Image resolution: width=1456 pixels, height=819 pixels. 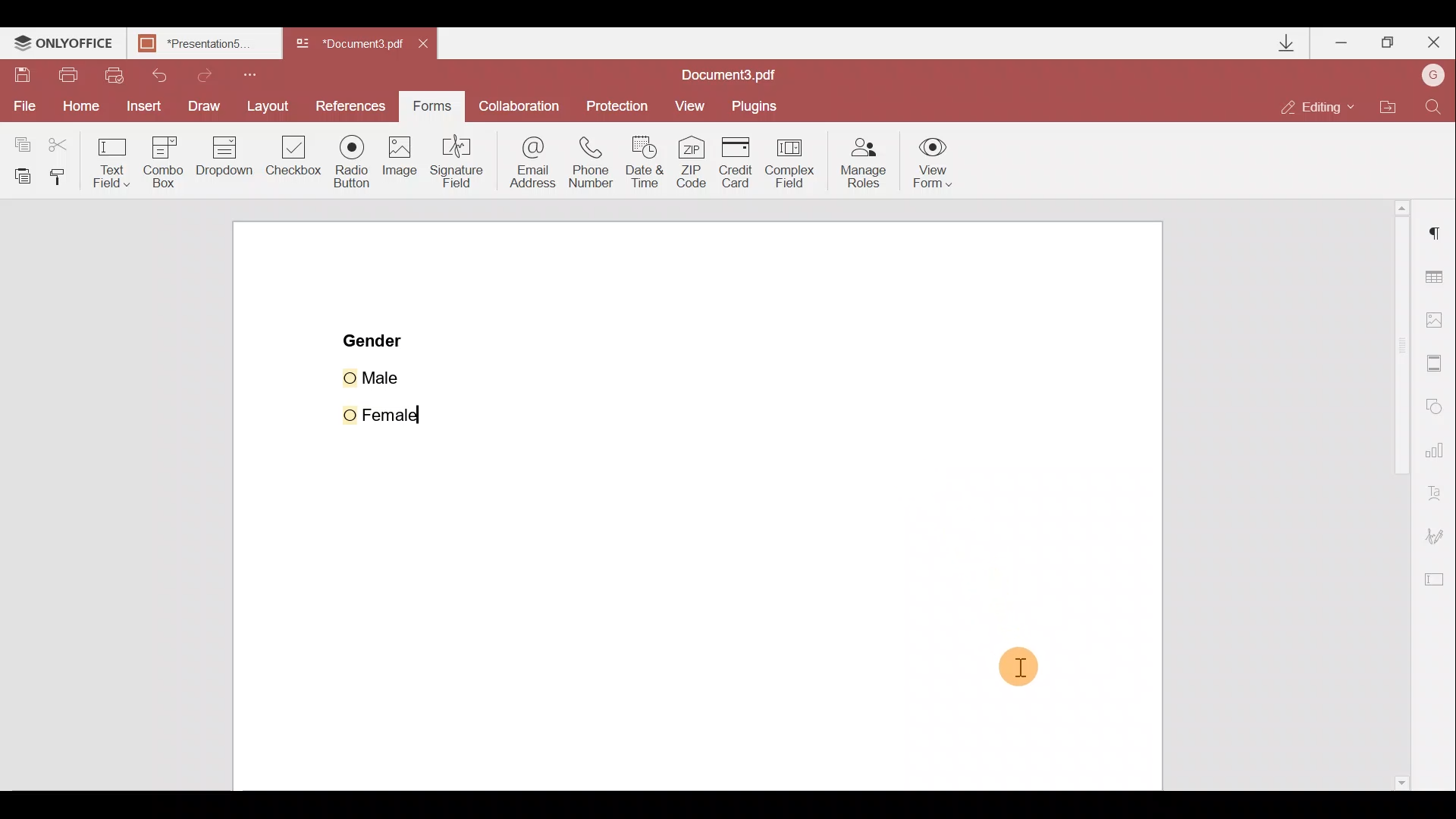 What do you see at coordinates (204, 105) in the screenshot?
I see `Draw` at bounding box center [204, 105].